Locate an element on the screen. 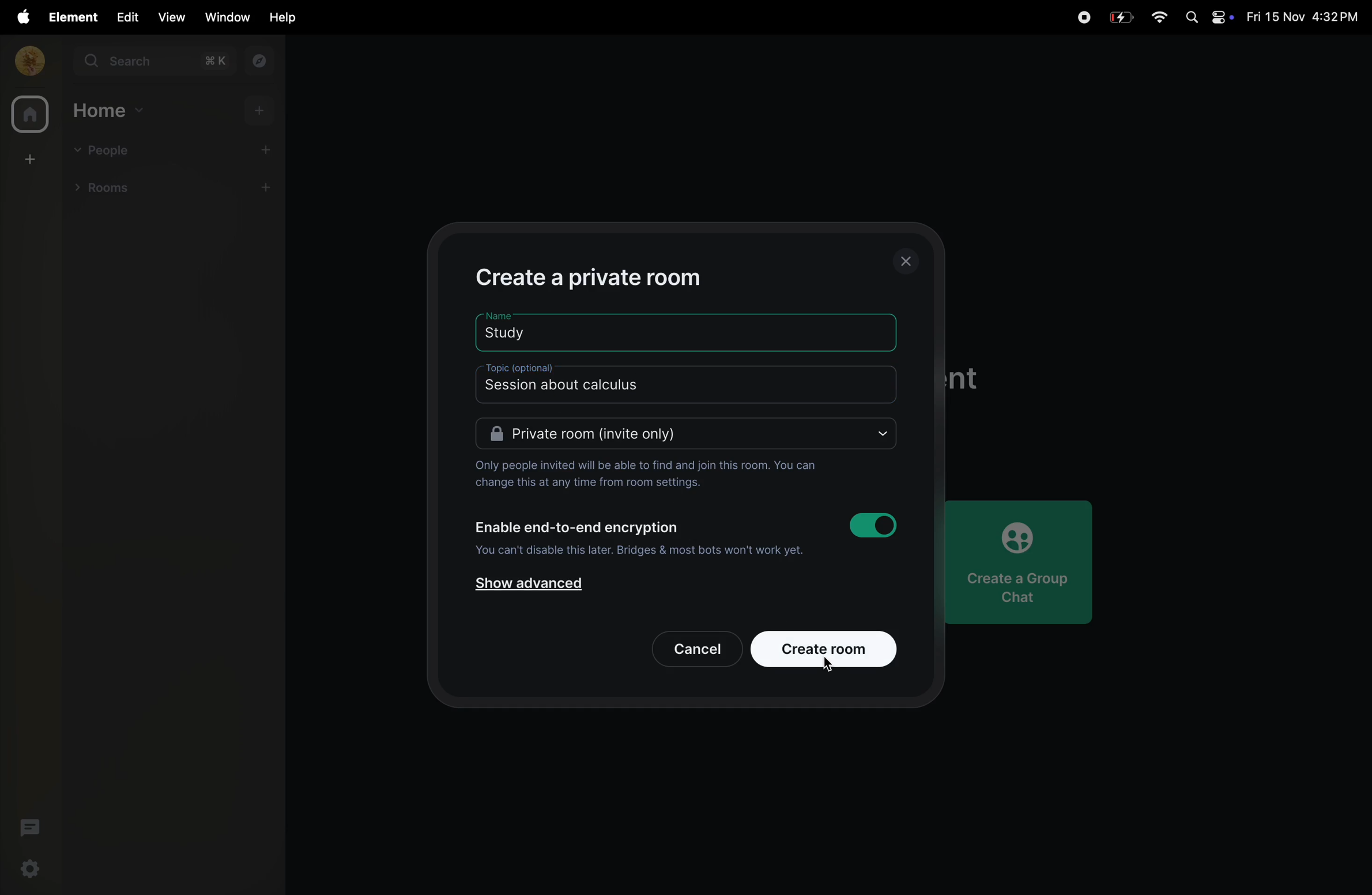  edit is located at coordinates (125, 17).